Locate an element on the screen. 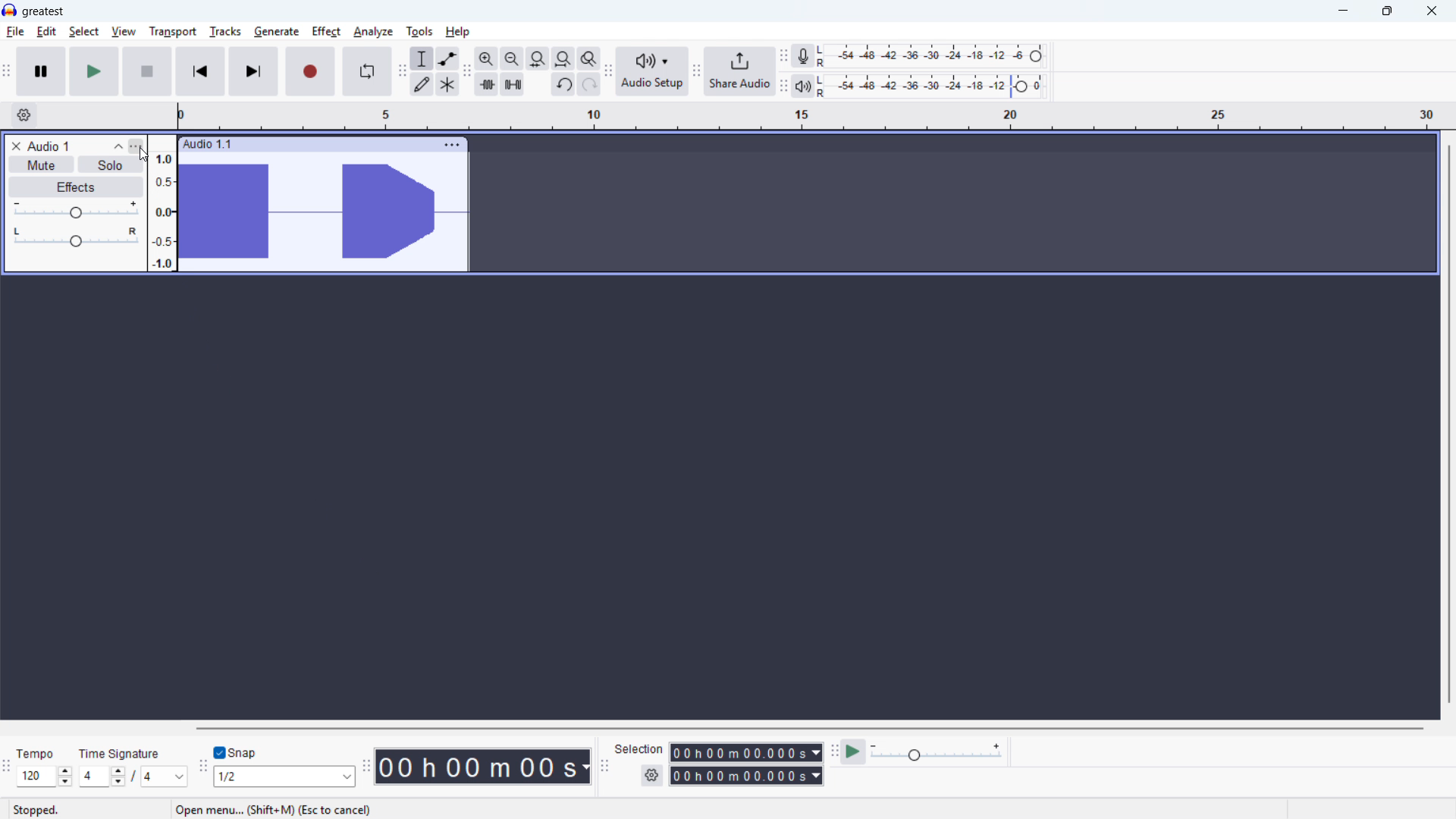  view  is located at coordinates (124, 31).